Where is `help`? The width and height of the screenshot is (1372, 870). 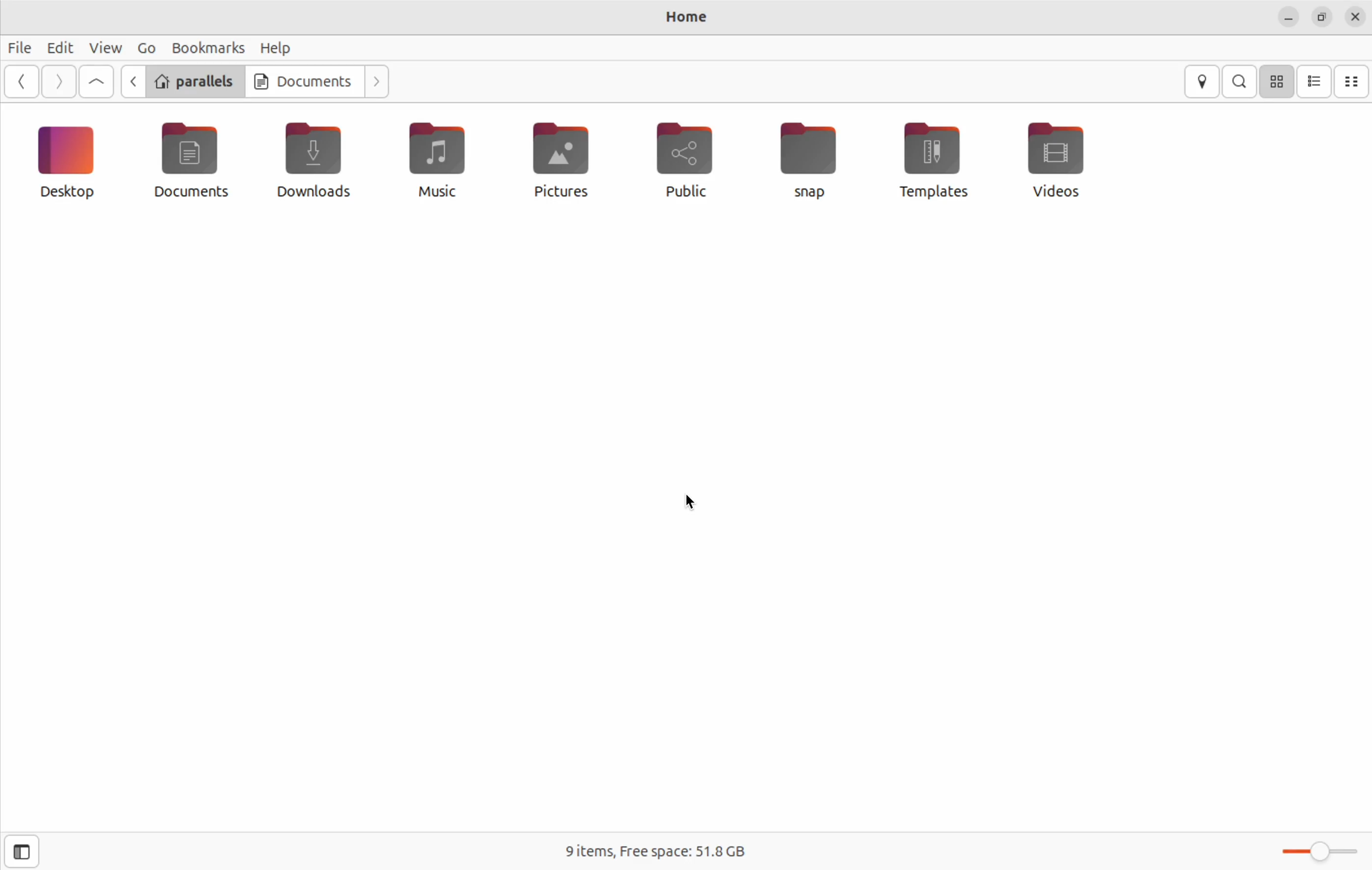 help is located at coordinates (279, 49).